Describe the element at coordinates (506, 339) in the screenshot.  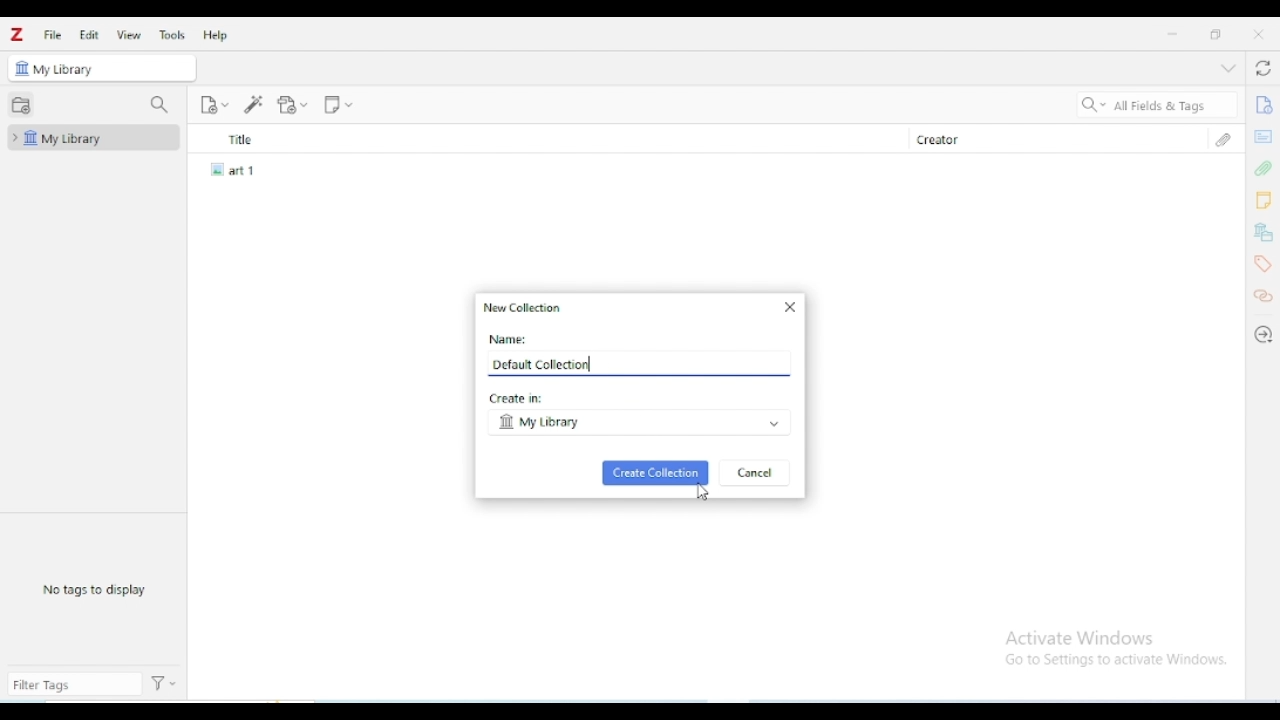
I see `Name:` at that location.